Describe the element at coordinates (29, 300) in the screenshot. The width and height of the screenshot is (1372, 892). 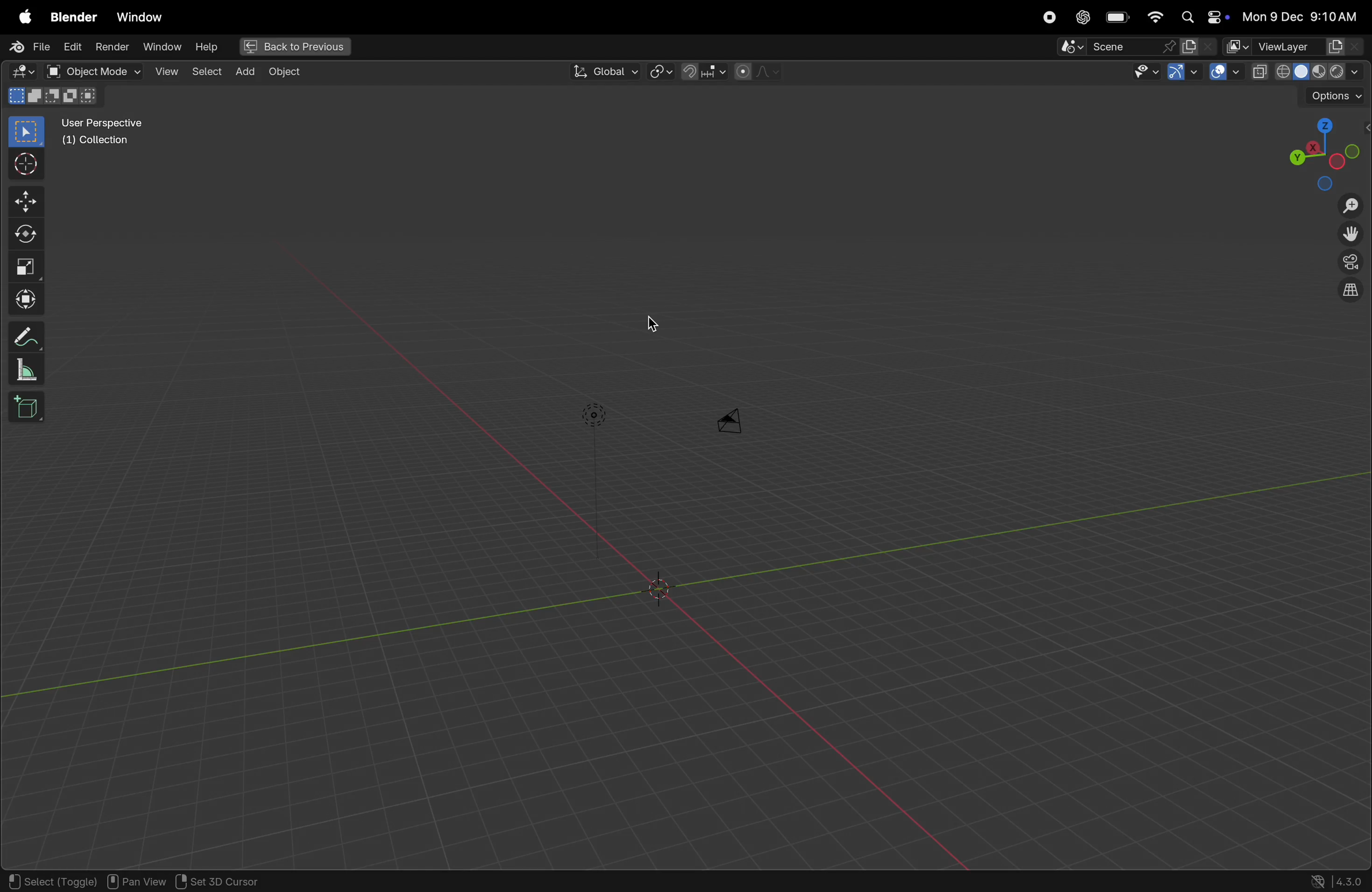
I see `transform` at that location.